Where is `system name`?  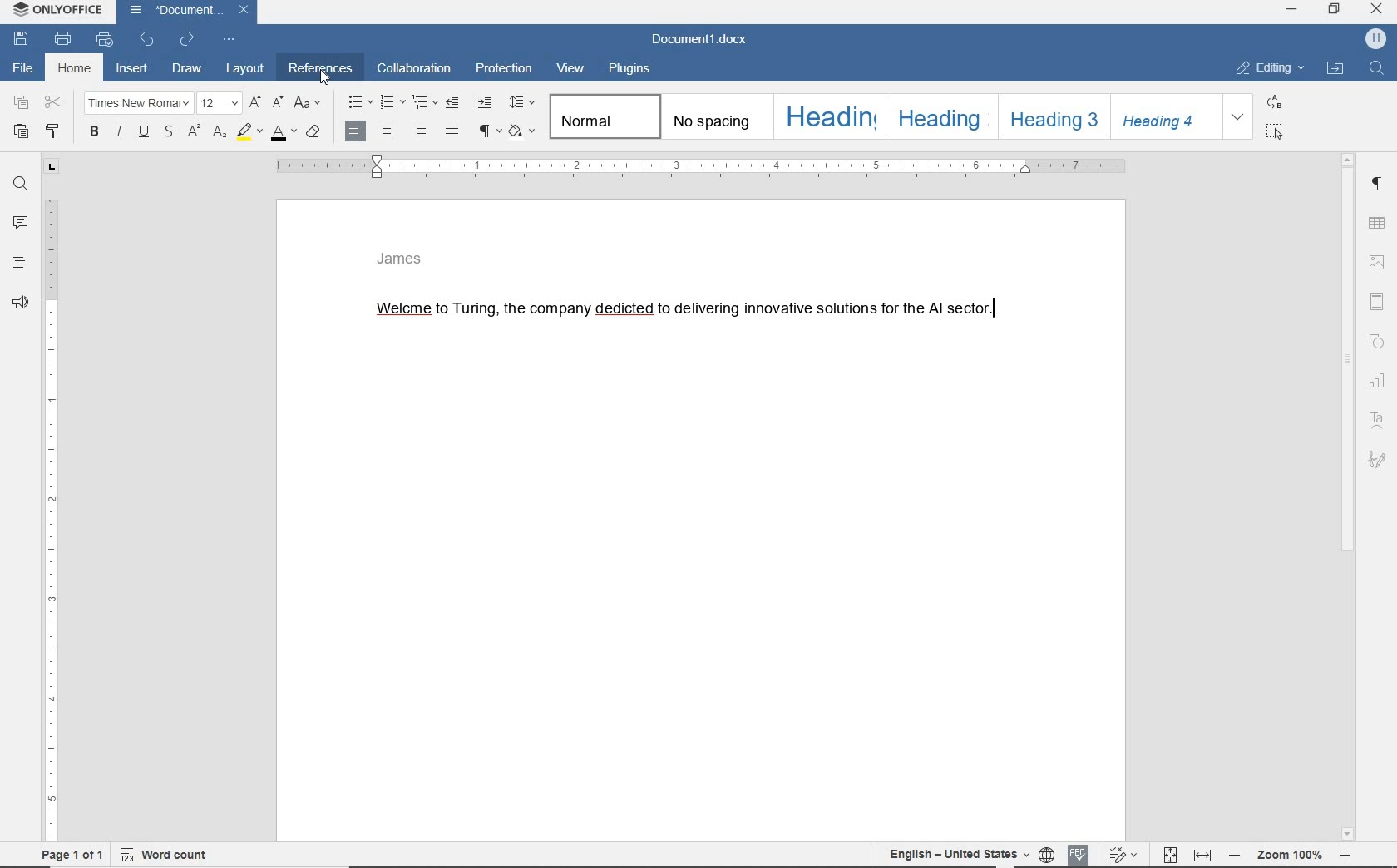 system name is located at coordinates (59, 10).